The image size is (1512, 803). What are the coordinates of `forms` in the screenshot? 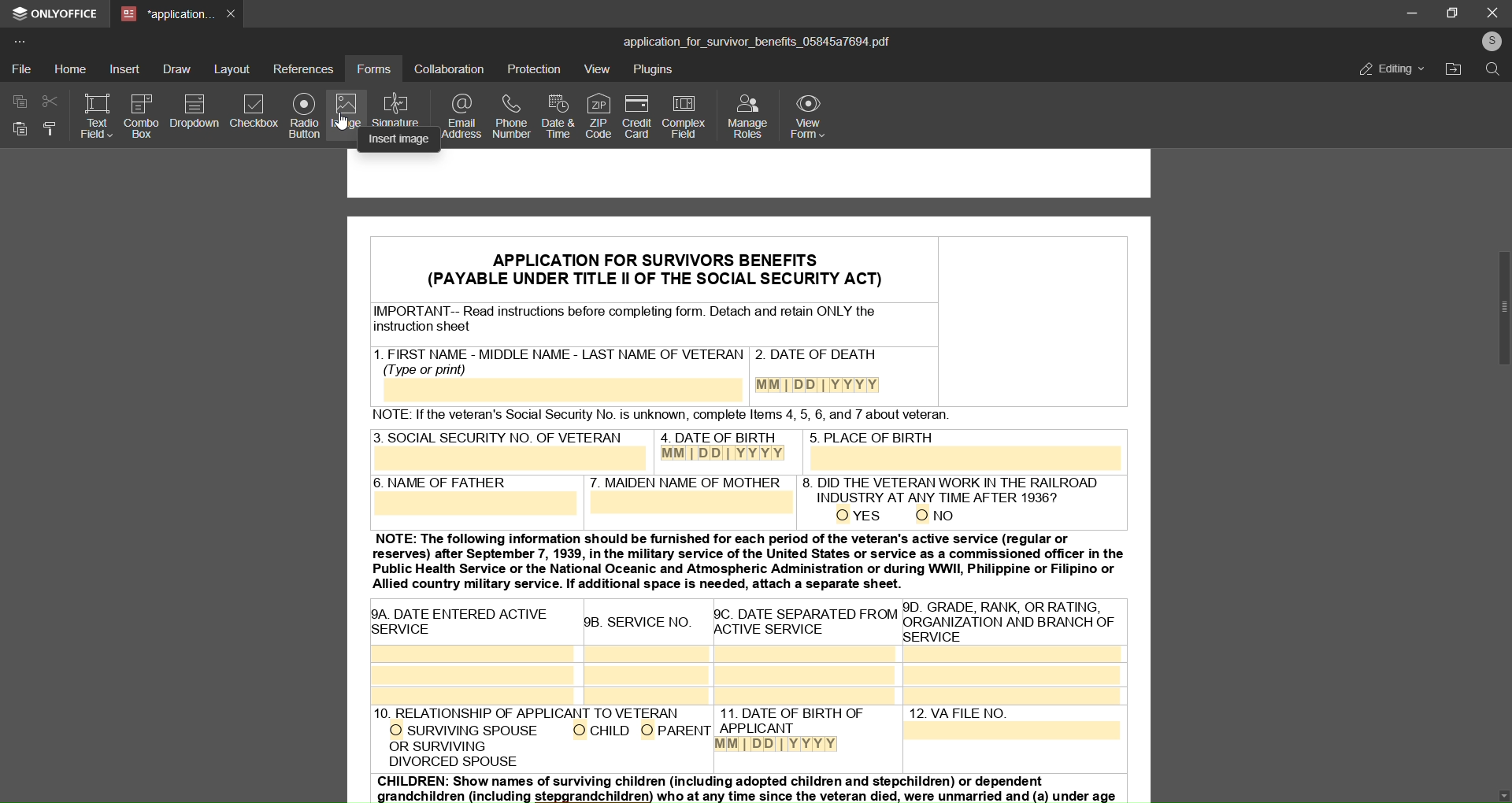 It's located at (373, 68).